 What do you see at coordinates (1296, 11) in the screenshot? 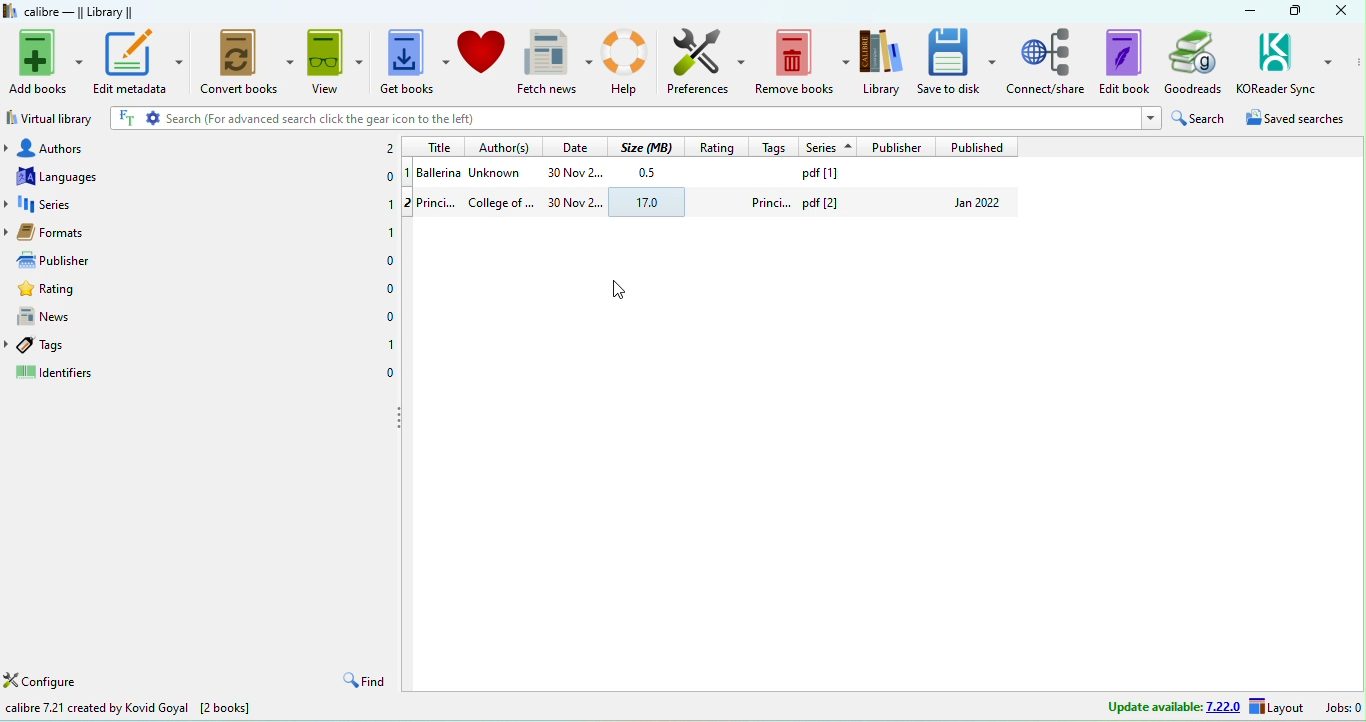
I see `maximize` at bounding box center [1296, 11].